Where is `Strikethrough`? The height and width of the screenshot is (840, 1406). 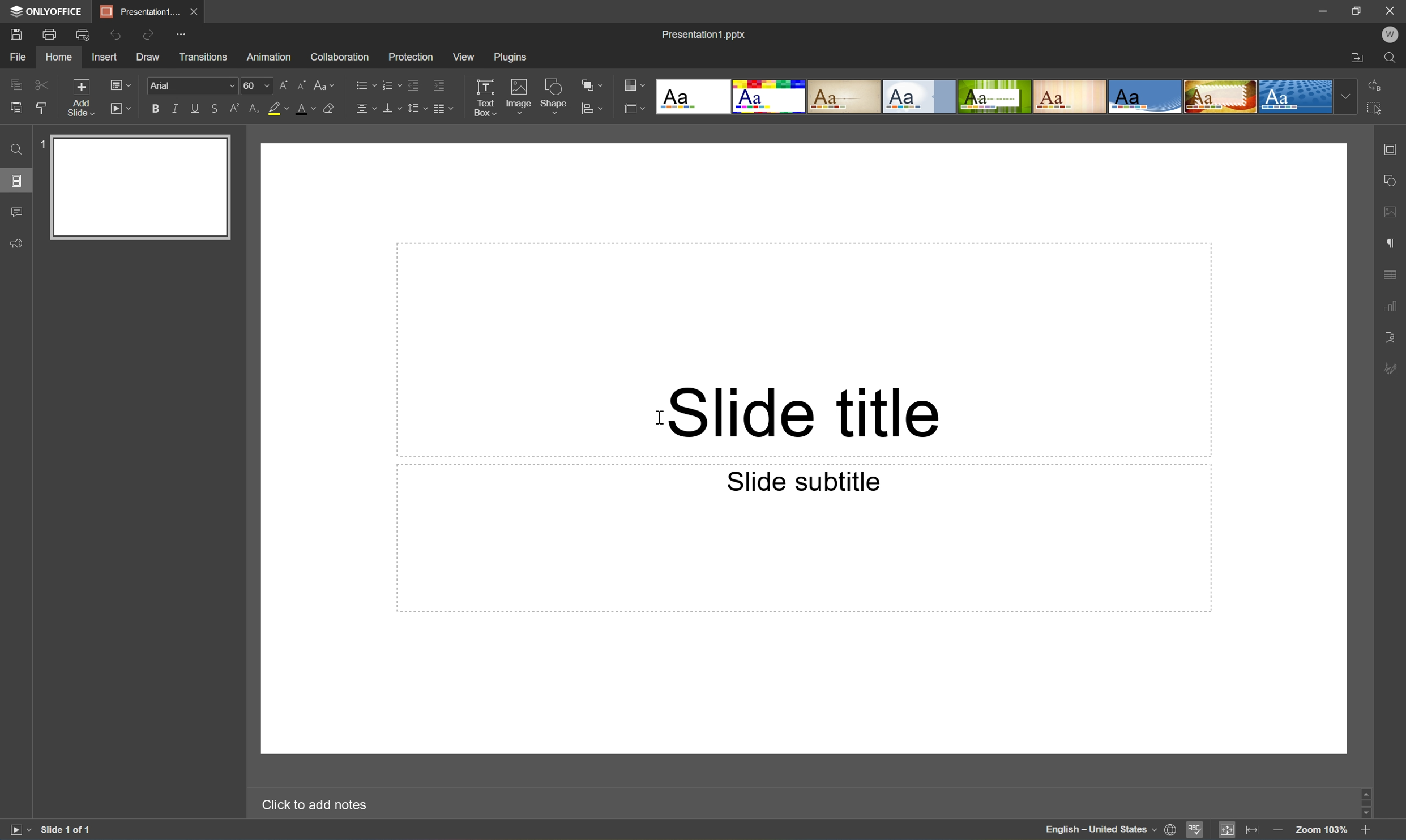
Strikethrough is located at coordinates (213, 108).